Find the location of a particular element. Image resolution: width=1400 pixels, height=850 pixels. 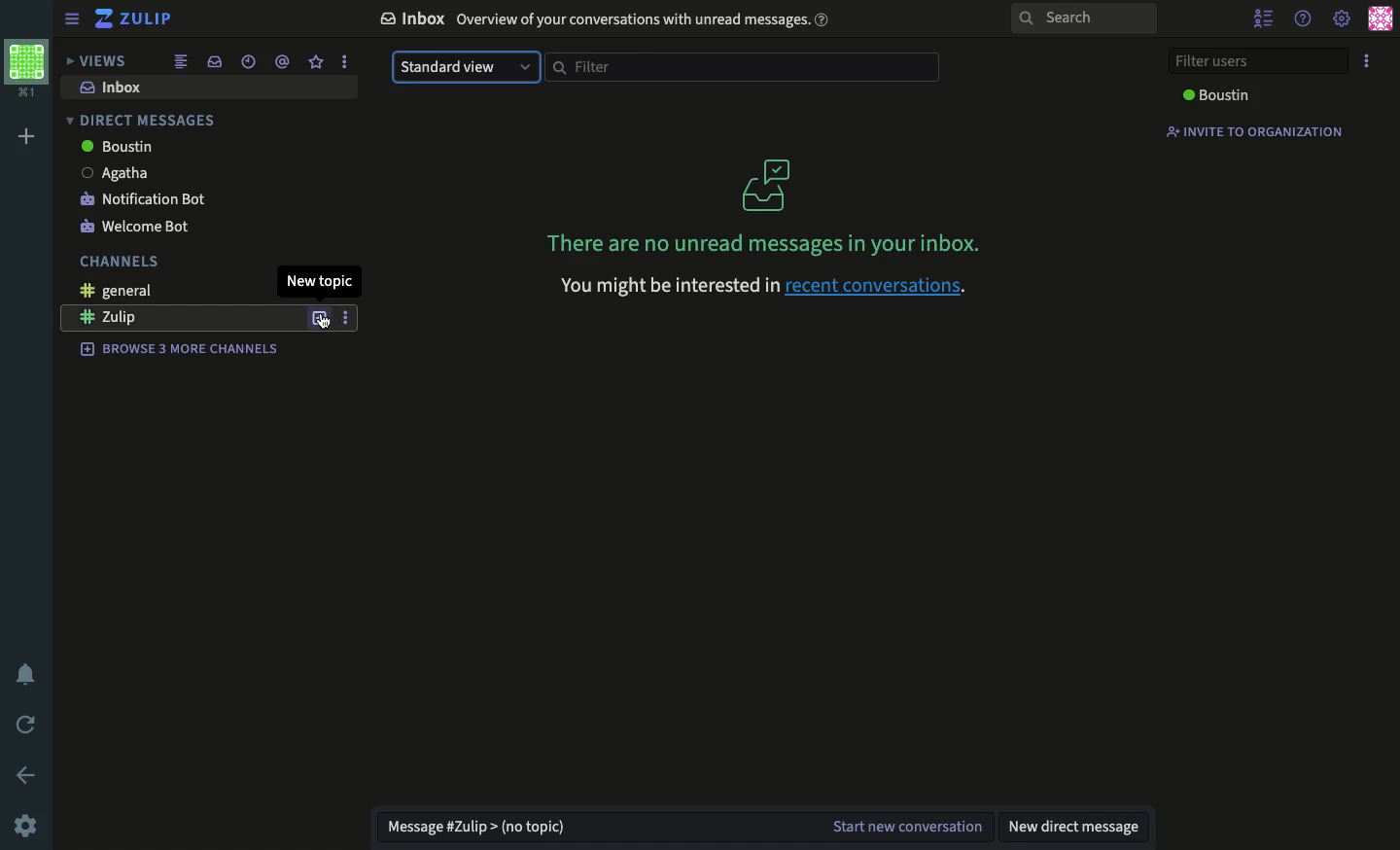

start new conversation is located at coordinates (904, 822).